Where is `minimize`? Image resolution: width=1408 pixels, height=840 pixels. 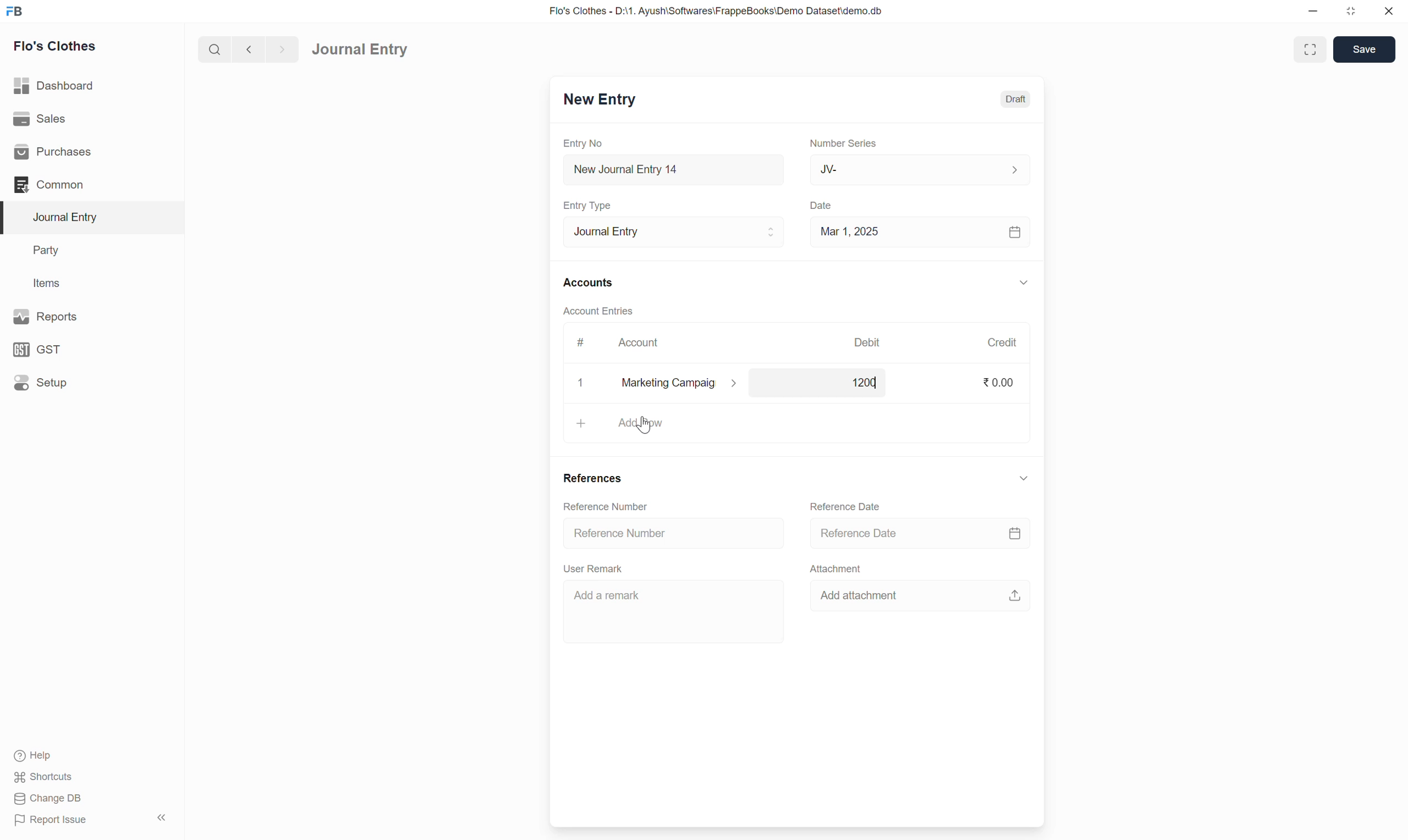 minimize is located at coordinates (1313, 12).